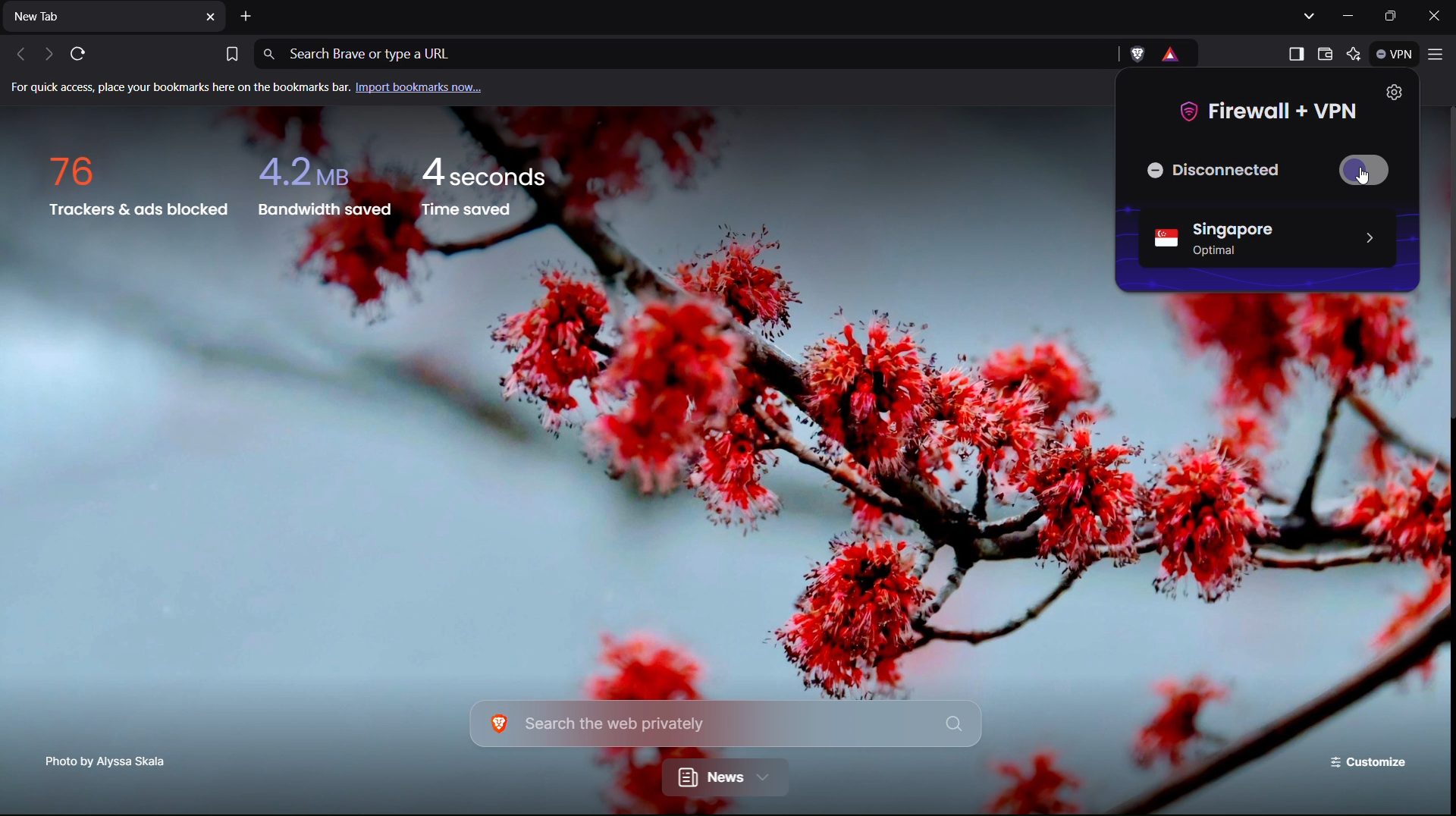 The height and width of the screenshot is (816, 1456). What do you see at coordinates (727, 722) in the screenshot?
I see `Search bar` at bounding box center [727, 722].